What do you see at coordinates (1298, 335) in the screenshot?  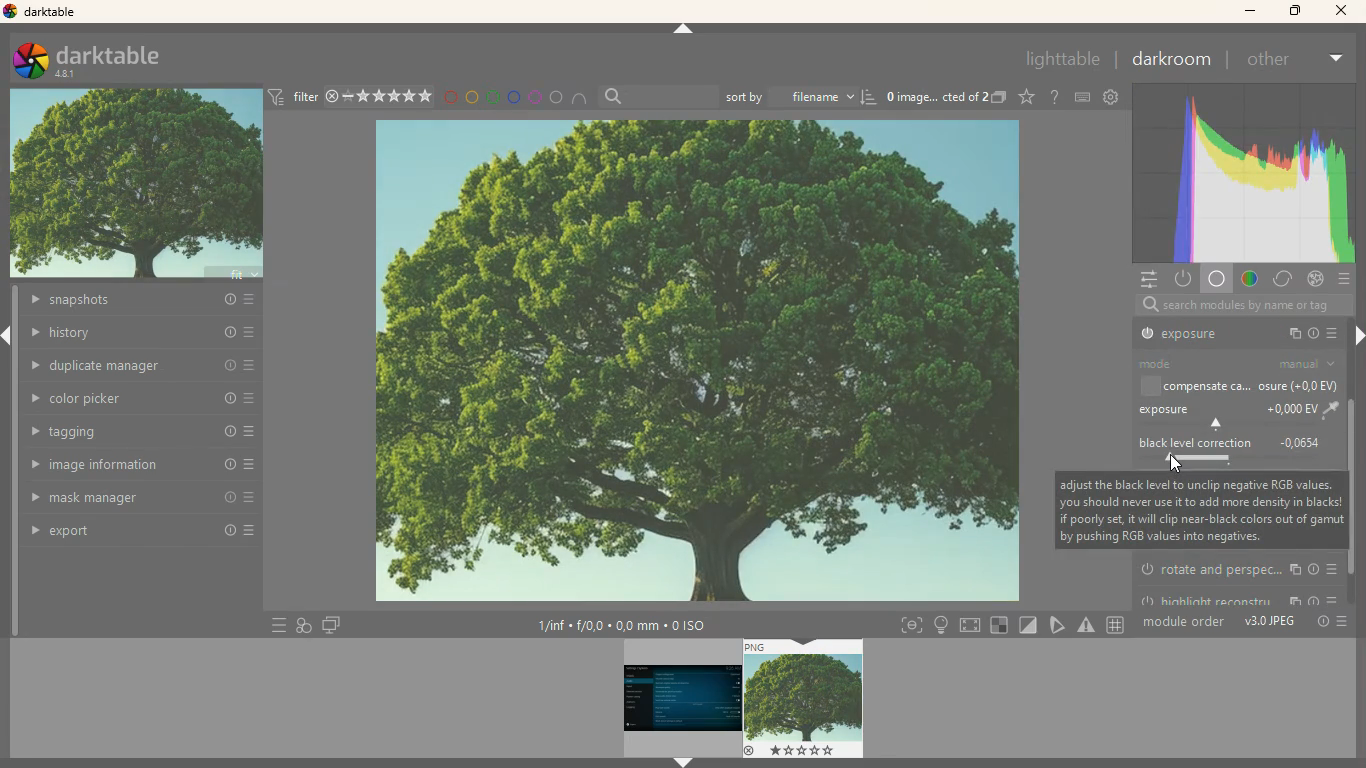 I see `copy` at bounding box center [1298, 335].